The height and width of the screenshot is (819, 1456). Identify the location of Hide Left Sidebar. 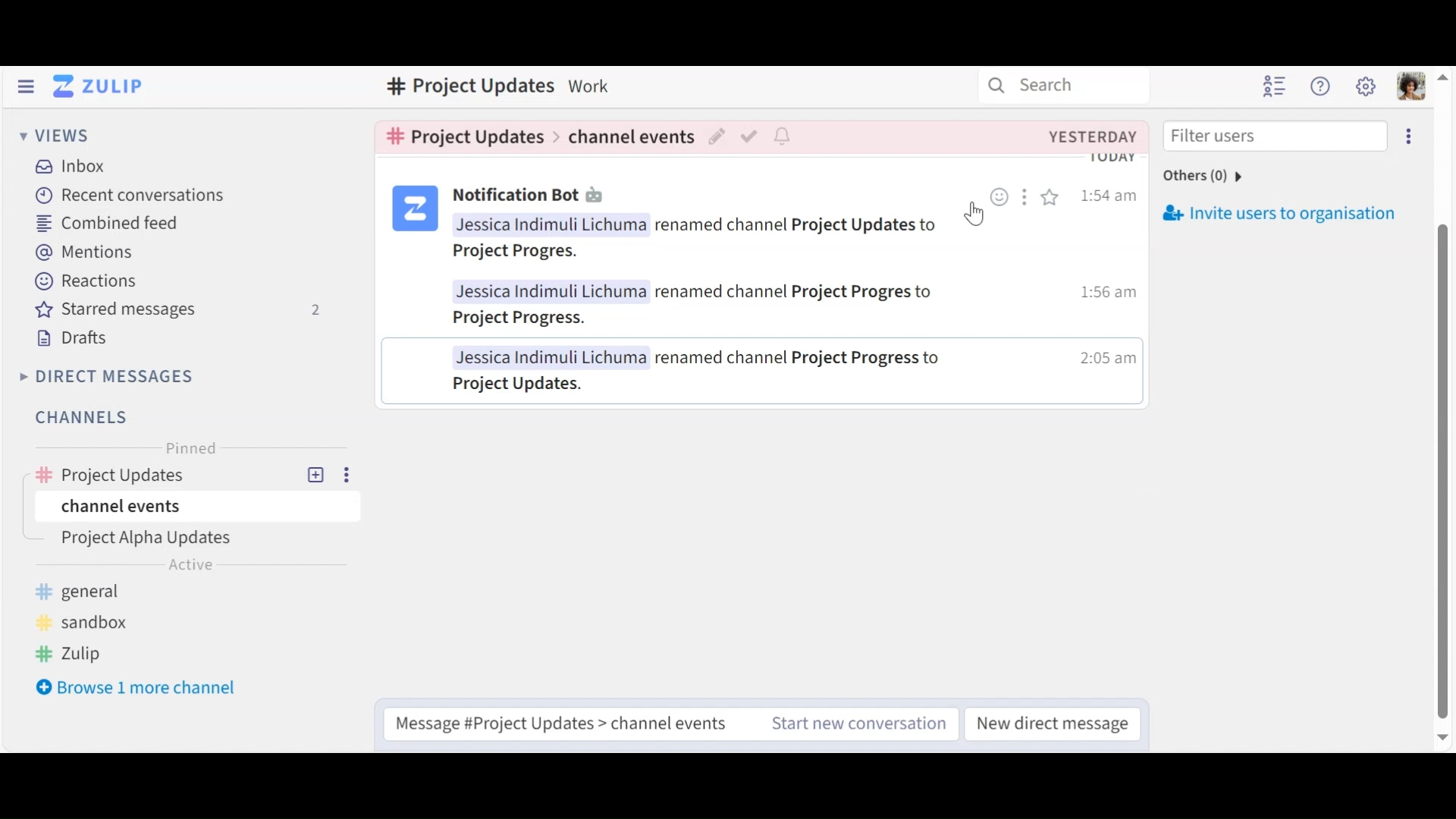
(27, 86).